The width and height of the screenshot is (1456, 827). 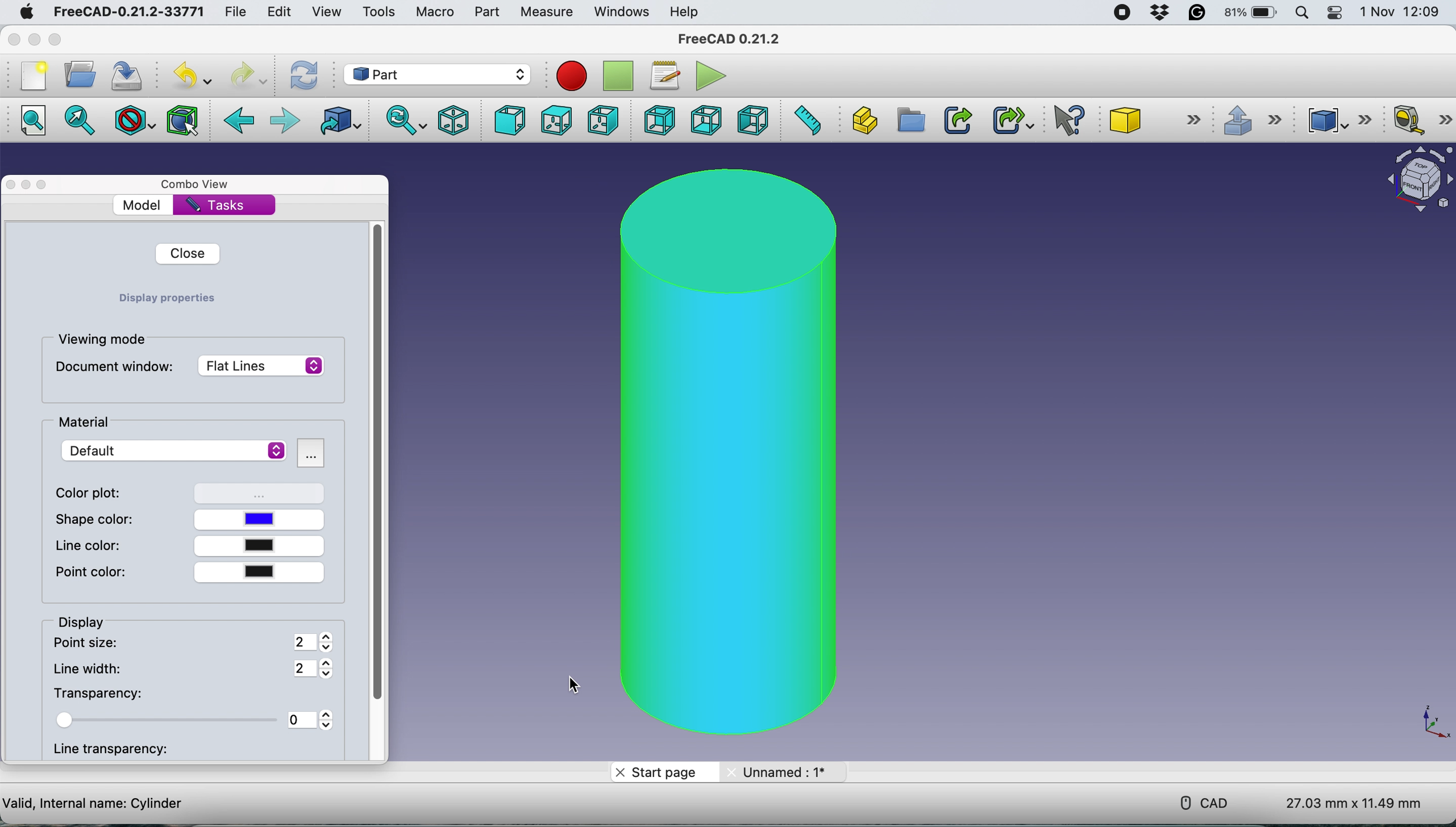 What do you see at coordinates (282, 119) in the screenshot?
I see `forward` at bounding box center [282, 119].